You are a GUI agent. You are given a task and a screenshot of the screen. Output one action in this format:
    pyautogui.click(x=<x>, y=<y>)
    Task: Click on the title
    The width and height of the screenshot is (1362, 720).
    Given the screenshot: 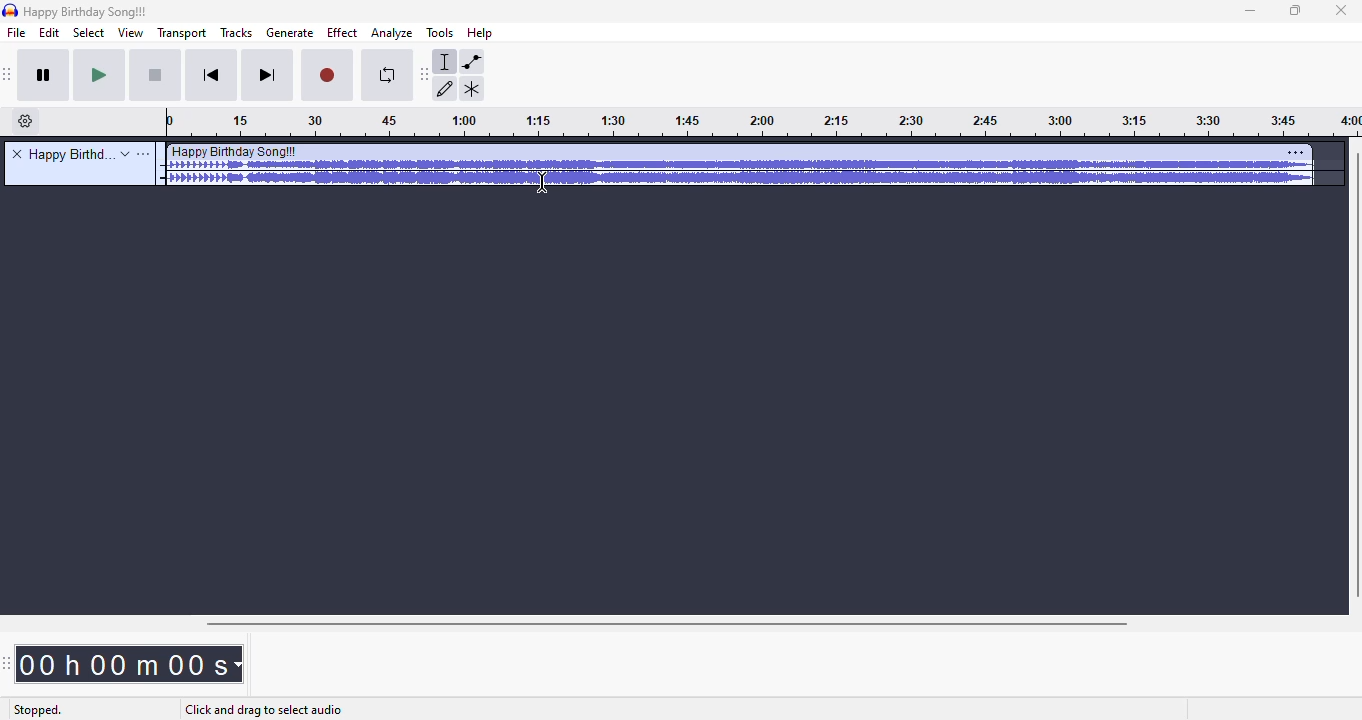 What is the action you would take?
    pyautogui.click(x=85, y=12)
    